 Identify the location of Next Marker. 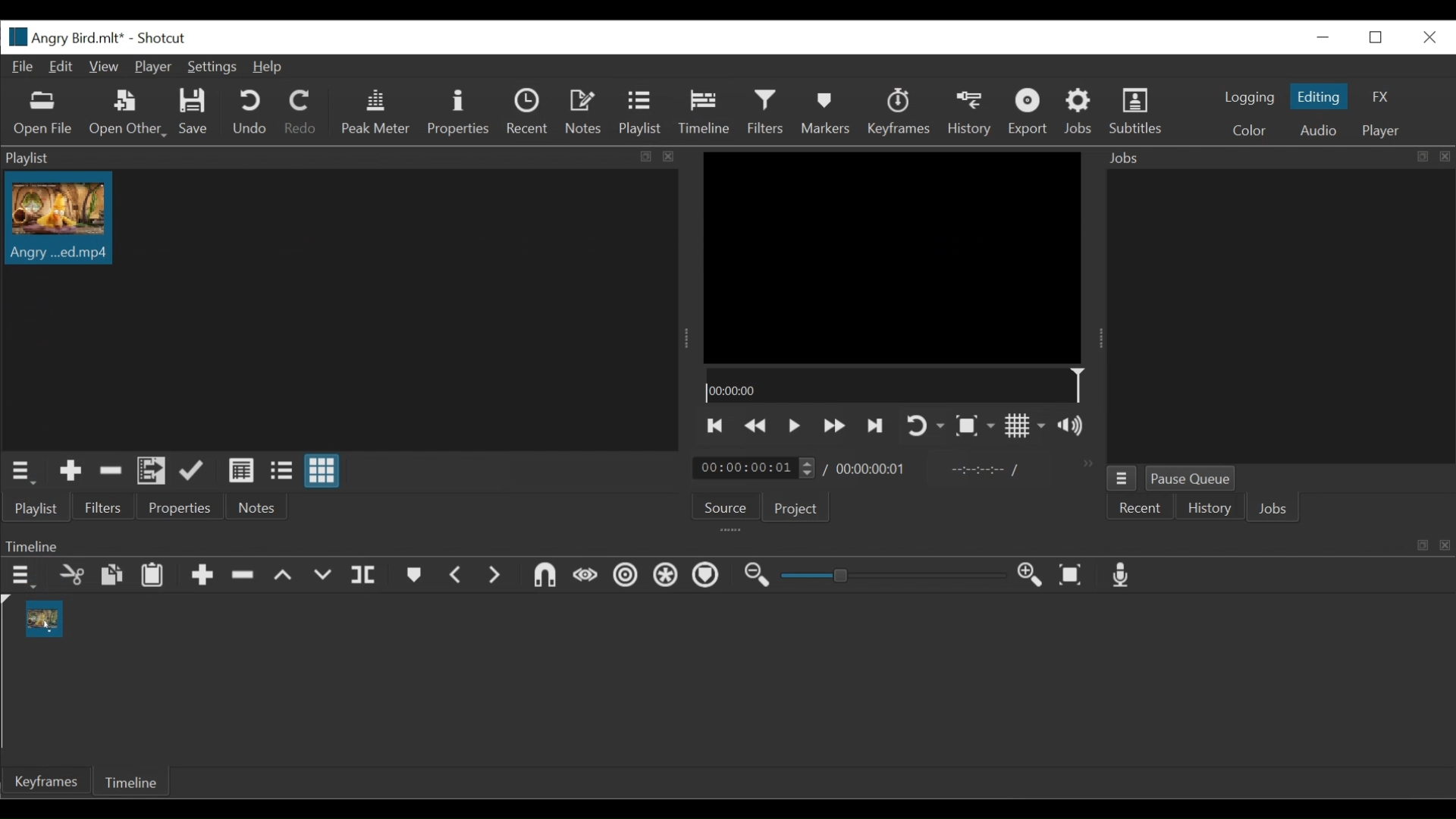
(495, 576).